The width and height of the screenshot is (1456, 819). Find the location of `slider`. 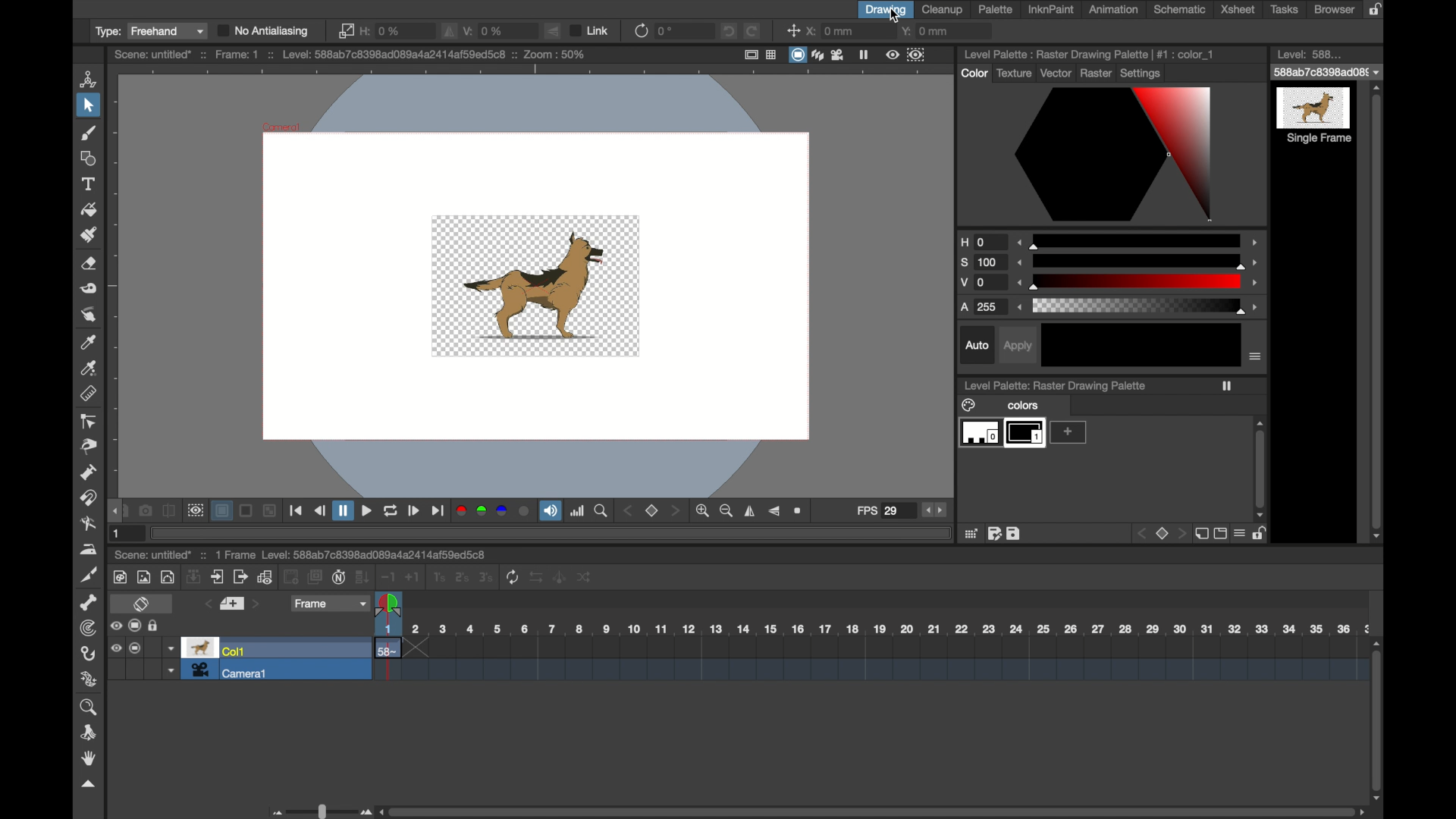

slider is located at coordinates (318, 810).